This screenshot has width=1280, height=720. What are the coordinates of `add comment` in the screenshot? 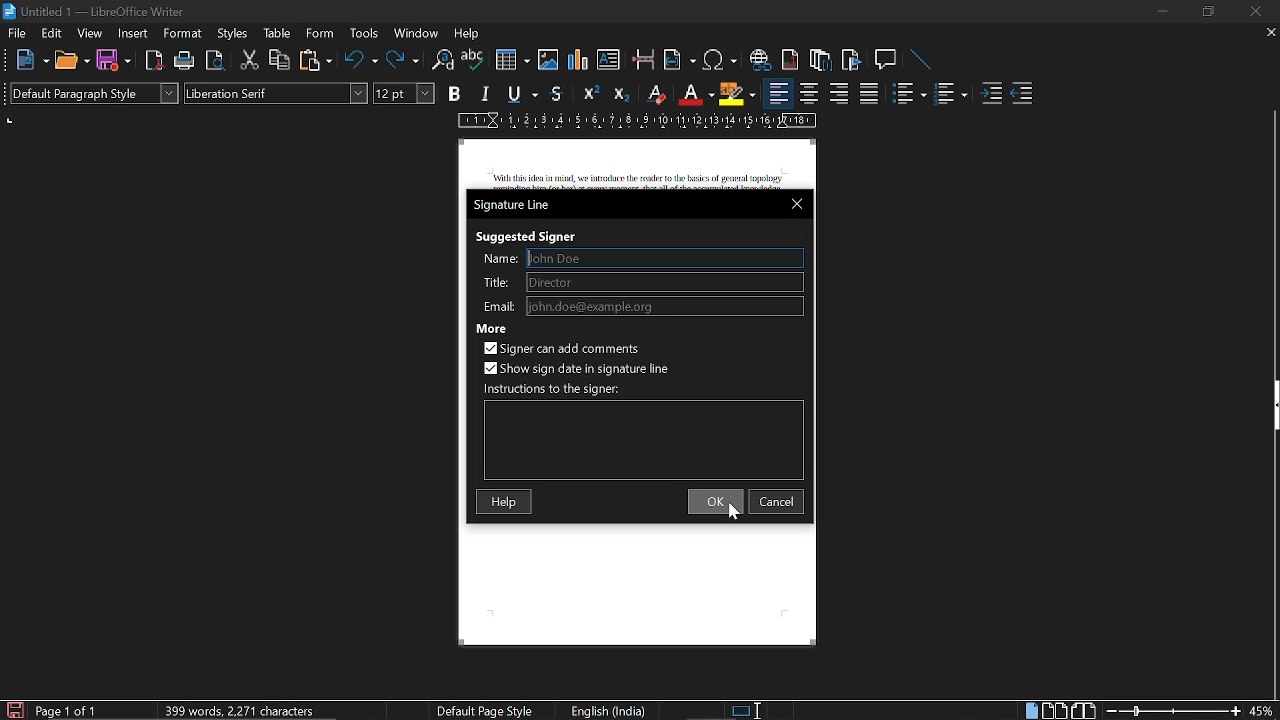 It's located at (566, 349).